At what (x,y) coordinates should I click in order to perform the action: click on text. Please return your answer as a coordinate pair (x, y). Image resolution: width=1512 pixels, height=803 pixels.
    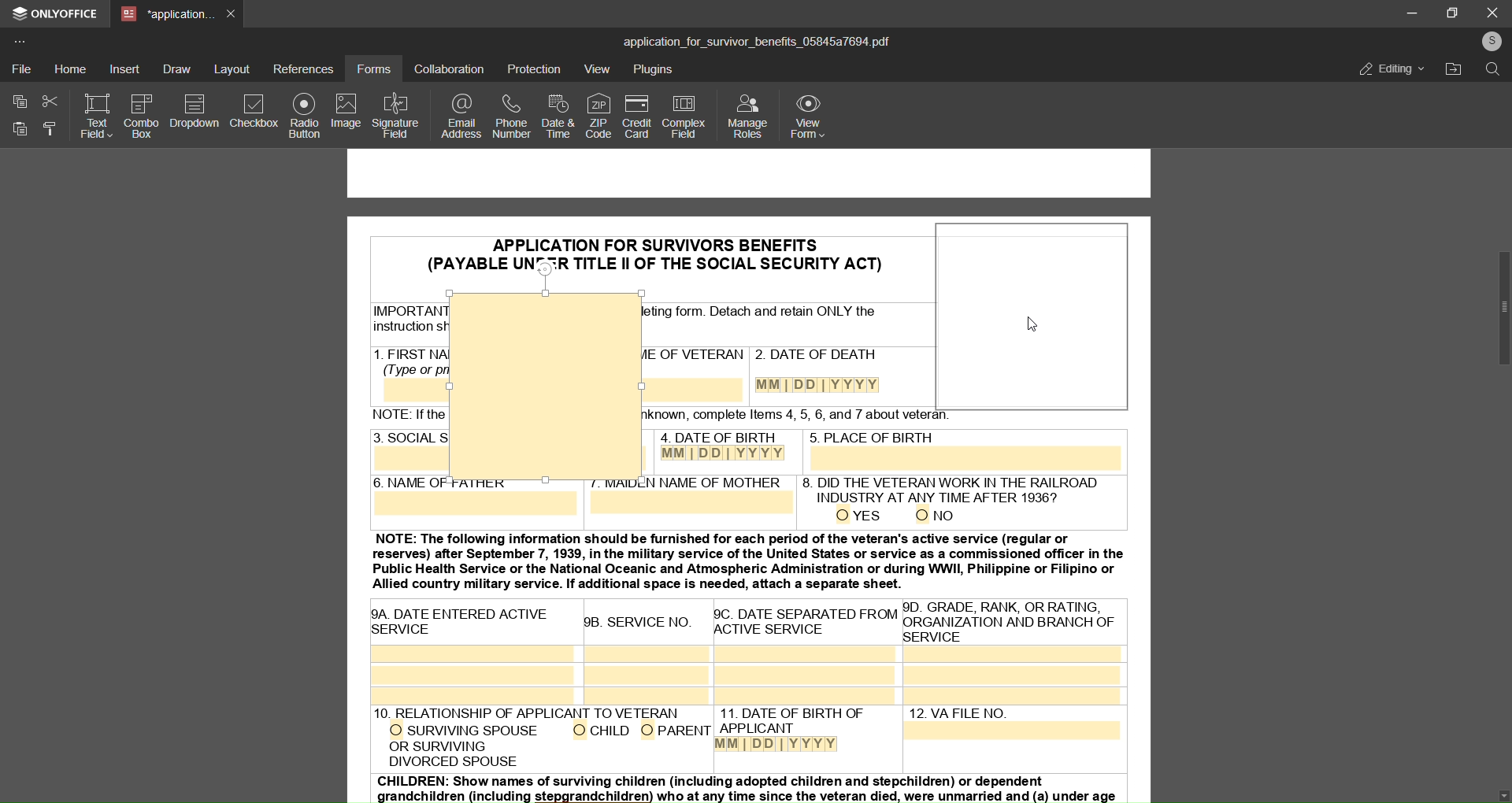
    Looking at the image, I should click on (1032, 460).